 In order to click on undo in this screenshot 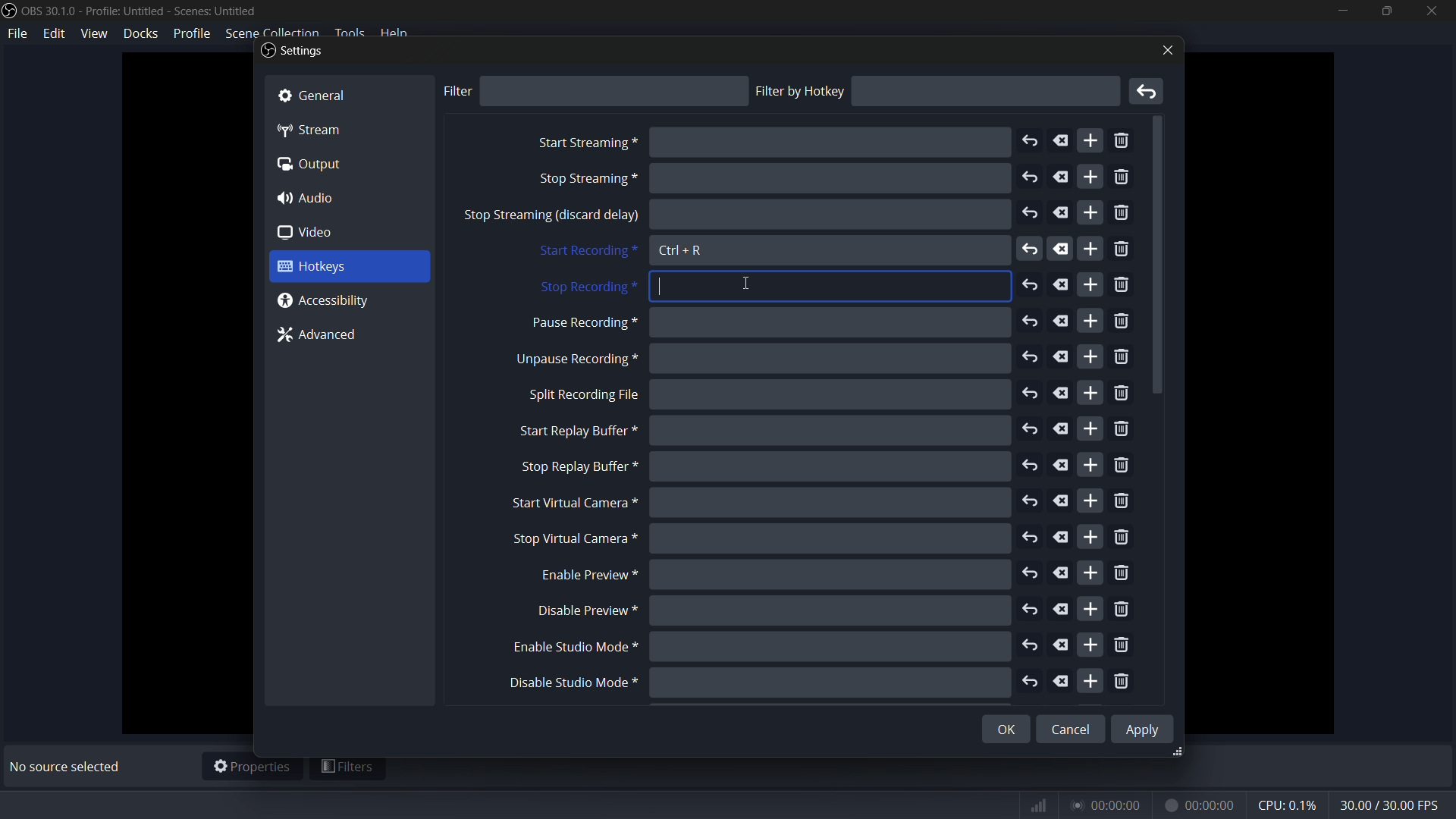, I will do `click(1031, 575)`.